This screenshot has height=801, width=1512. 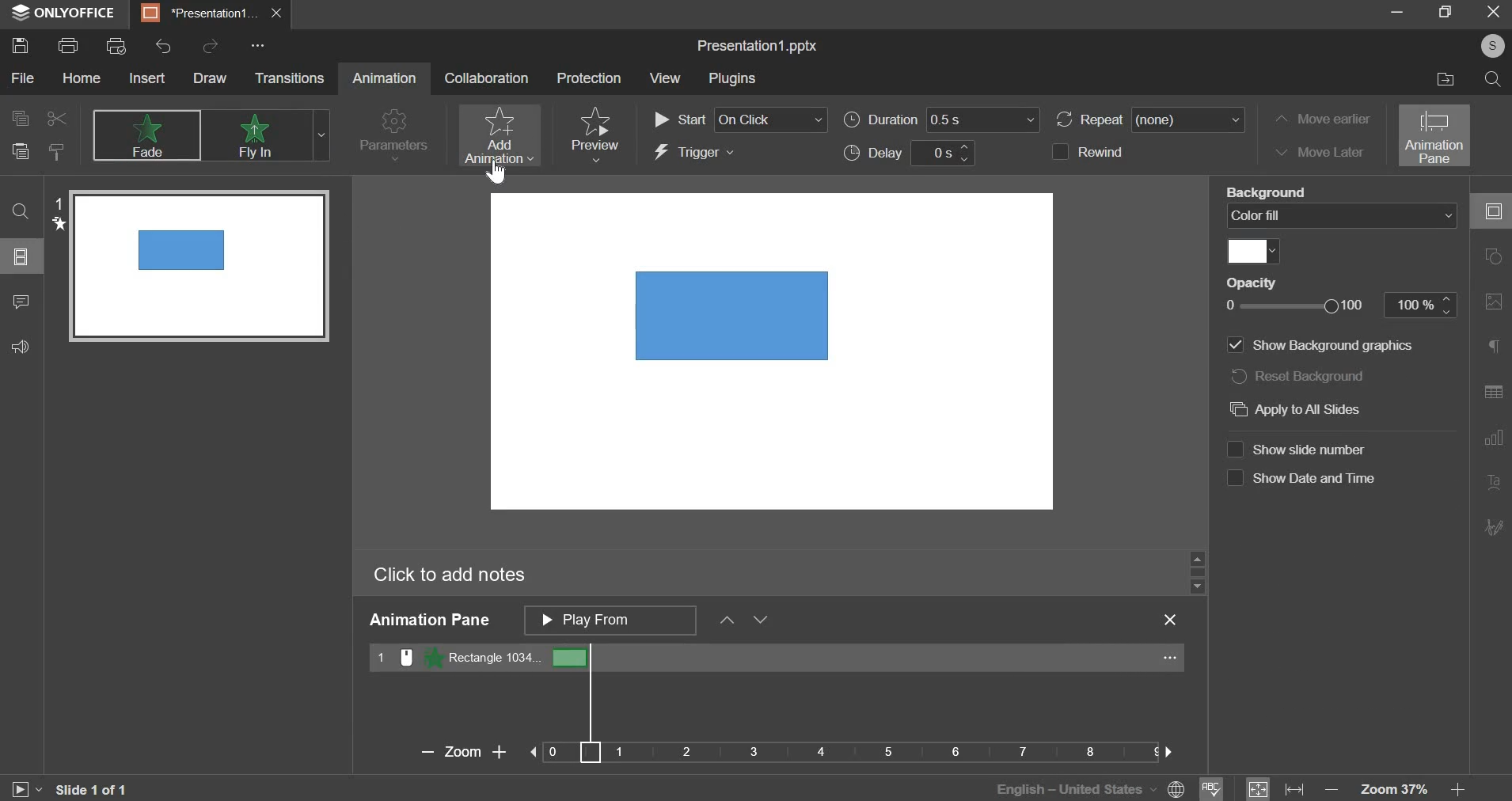 What do you see at coordinates (18, 119) in the screenshot?
I see `copy` at bounding box center [18, 119].